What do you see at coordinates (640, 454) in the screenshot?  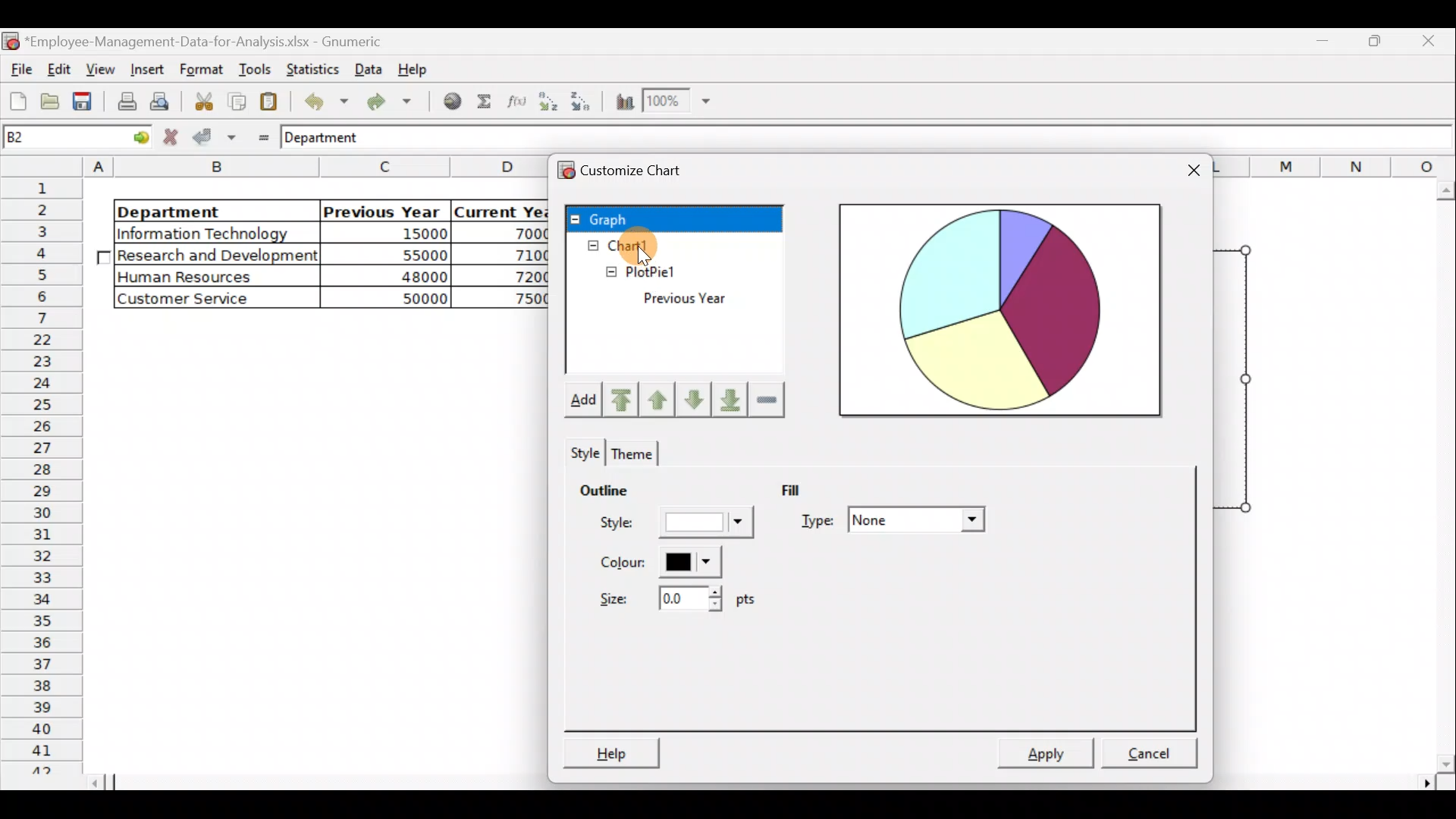 I see `Theme` at bounding box center [640, 454].